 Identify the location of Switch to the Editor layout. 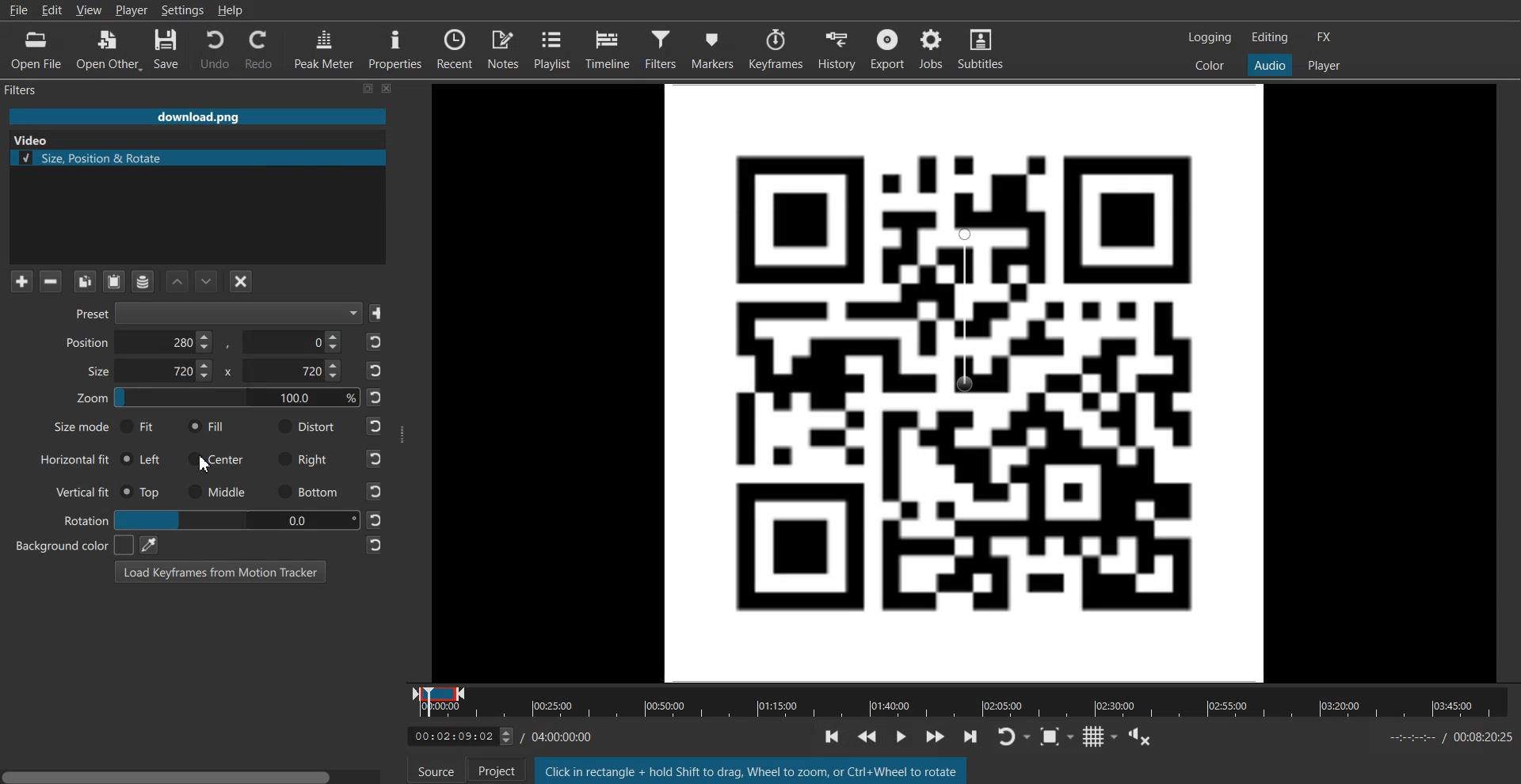
(1270, 37).